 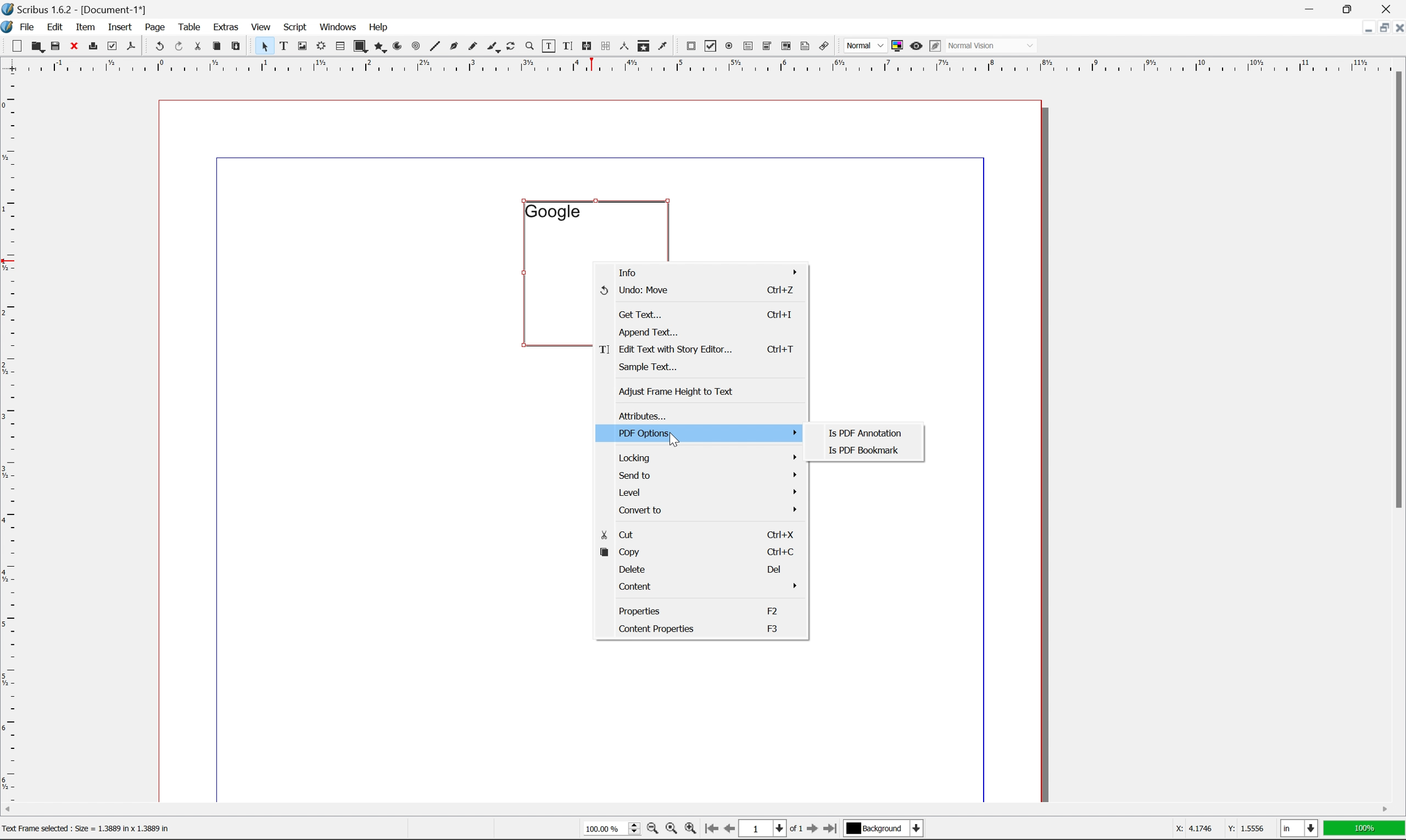 I want to click on arc, so click(x=399, y=46).